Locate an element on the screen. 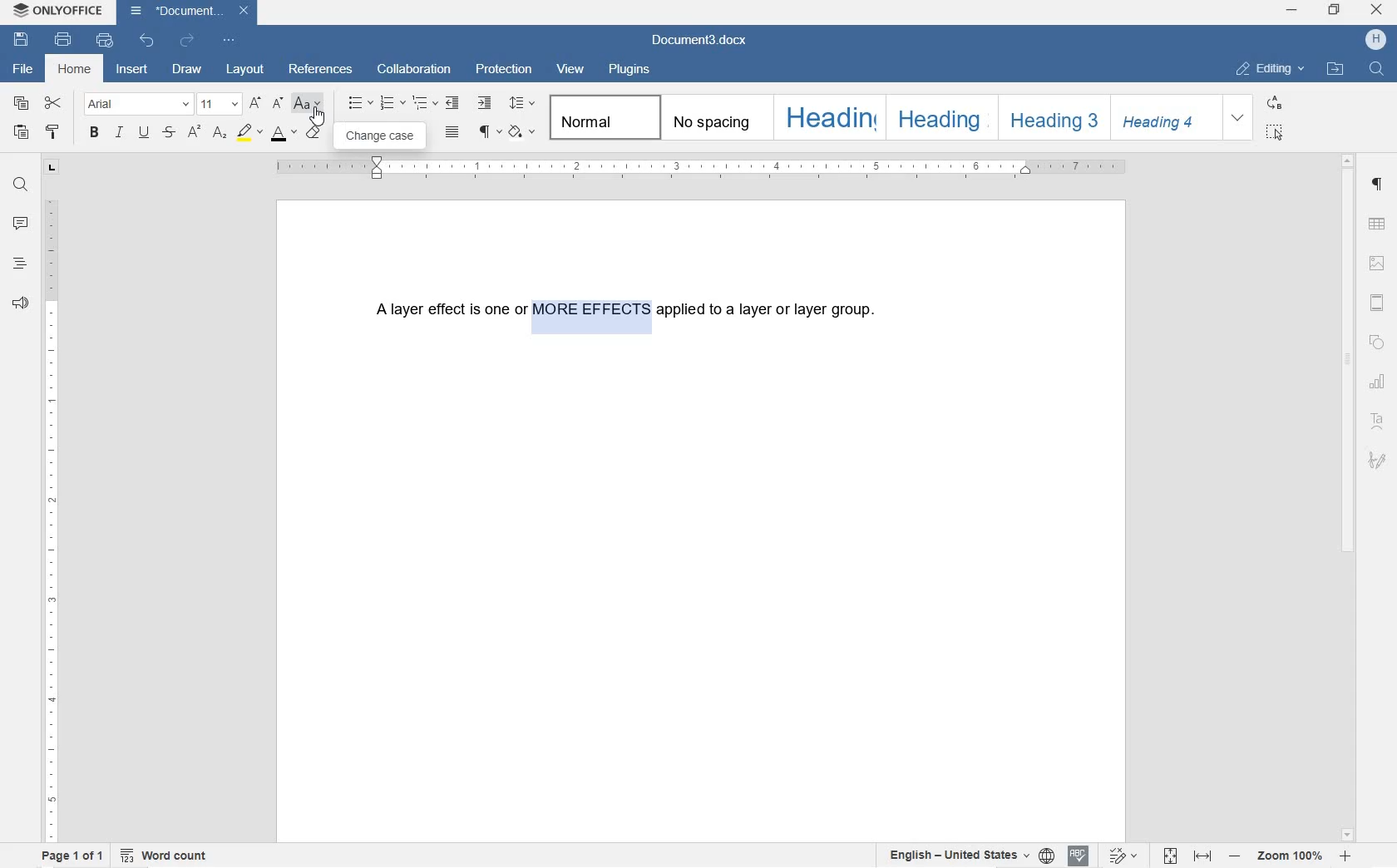  PLUGINS is located at coordinates (629, 71).